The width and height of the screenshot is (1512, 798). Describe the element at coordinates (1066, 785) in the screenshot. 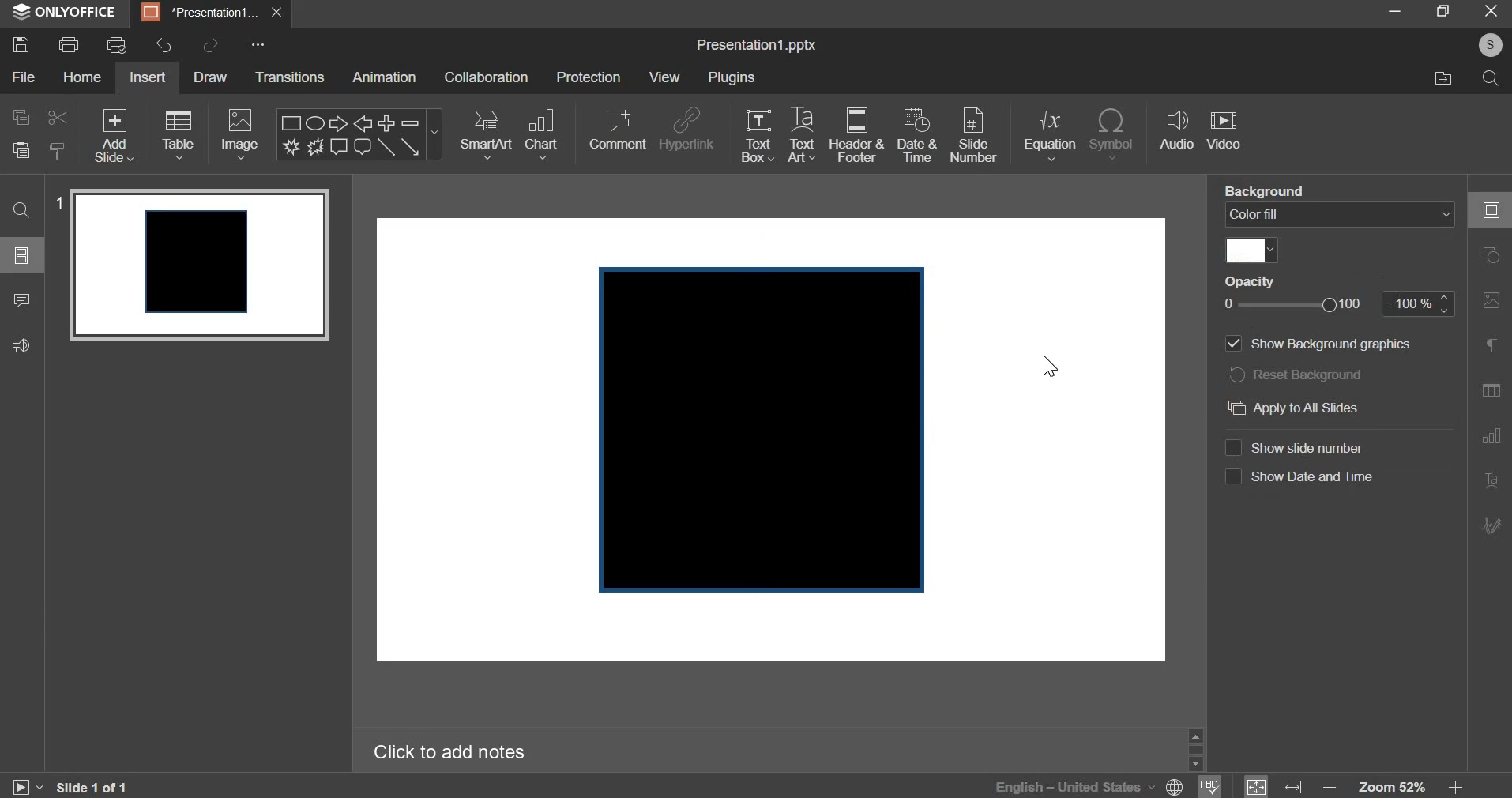

I see `language` at that location.